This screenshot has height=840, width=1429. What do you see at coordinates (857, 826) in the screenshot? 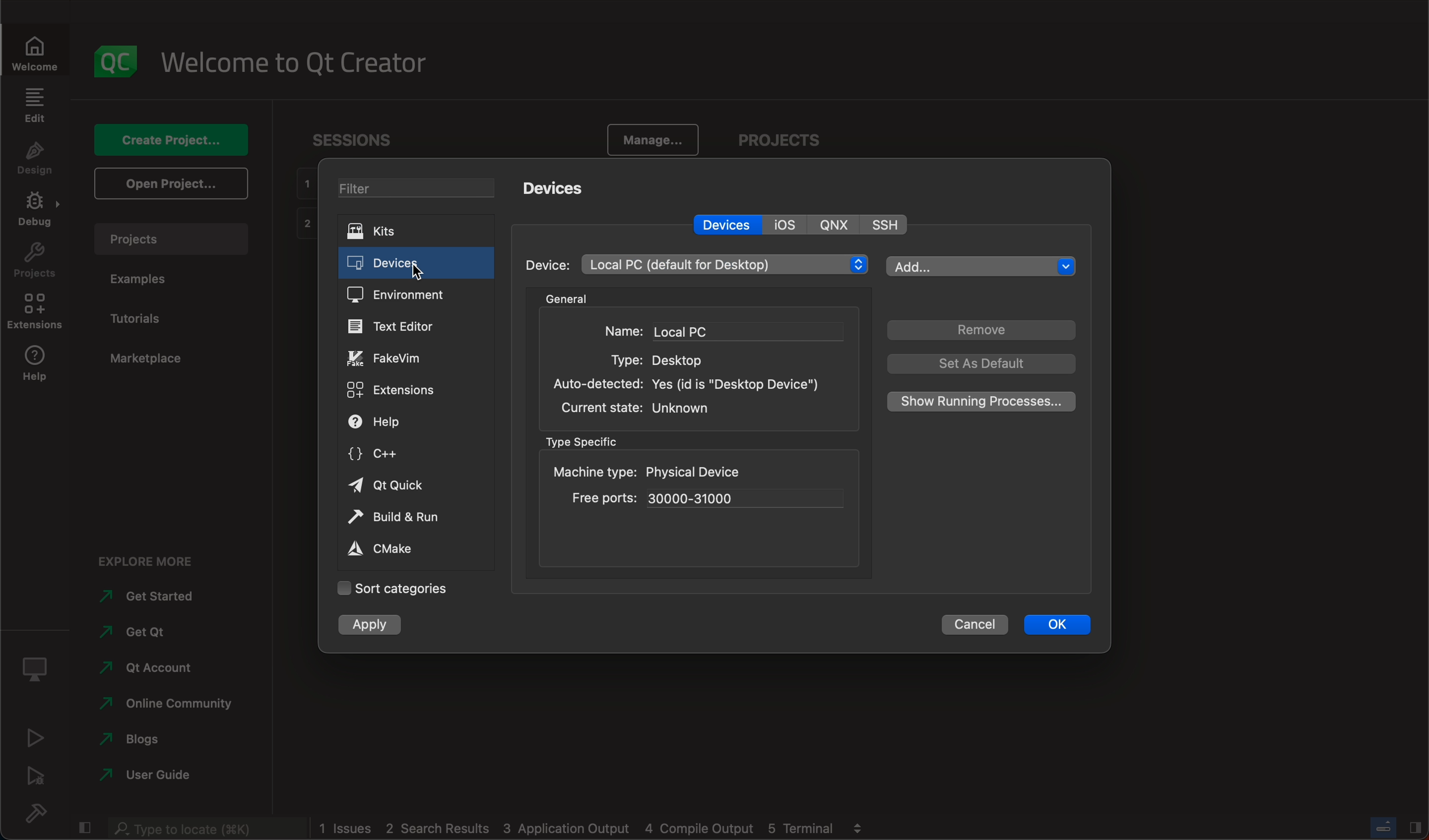
I see `output view` at bounding box center [857, 826].